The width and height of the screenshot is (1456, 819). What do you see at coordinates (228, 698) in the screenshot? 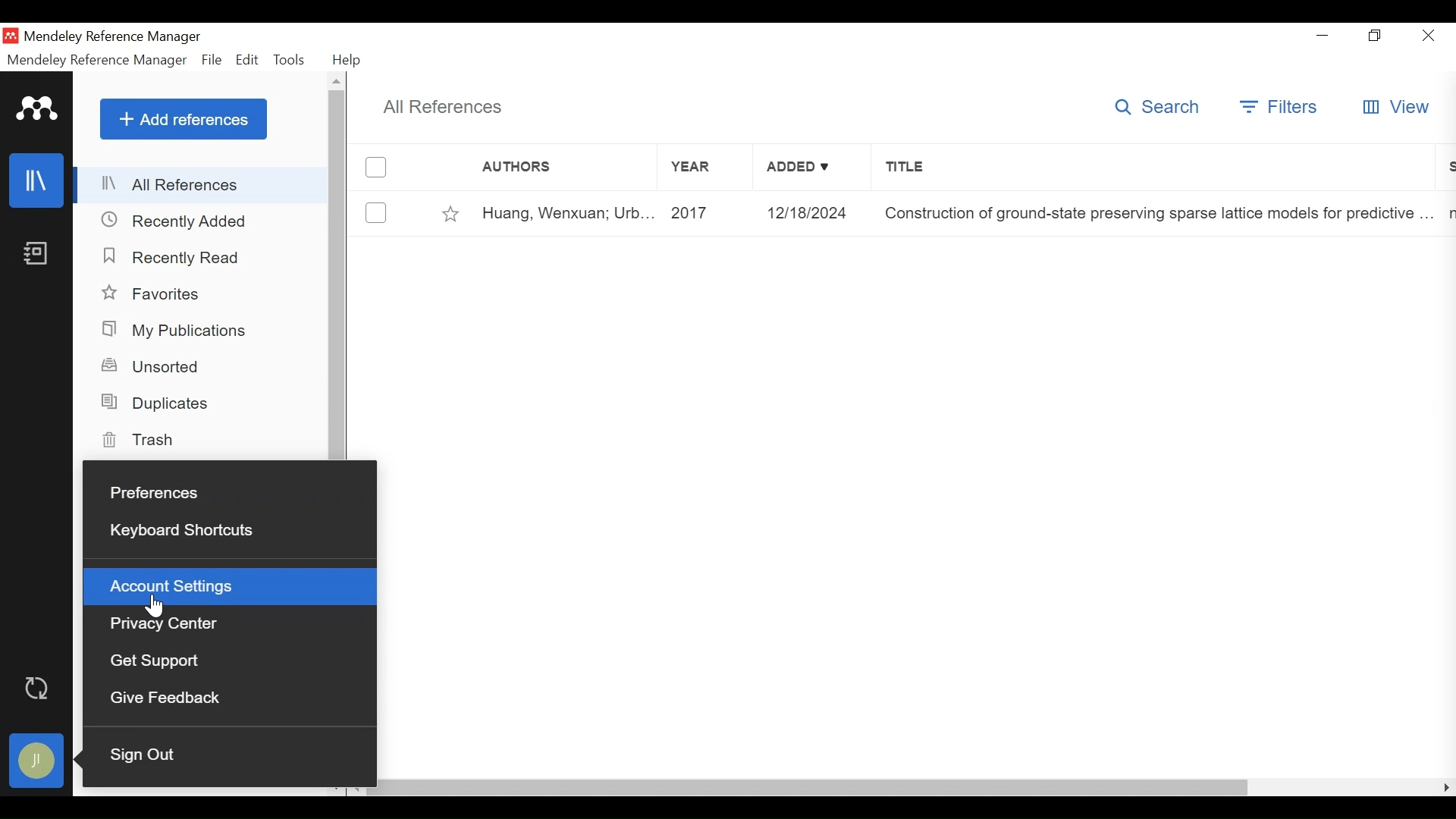
I see `Give Feedback` at bounding box center [228, 698].